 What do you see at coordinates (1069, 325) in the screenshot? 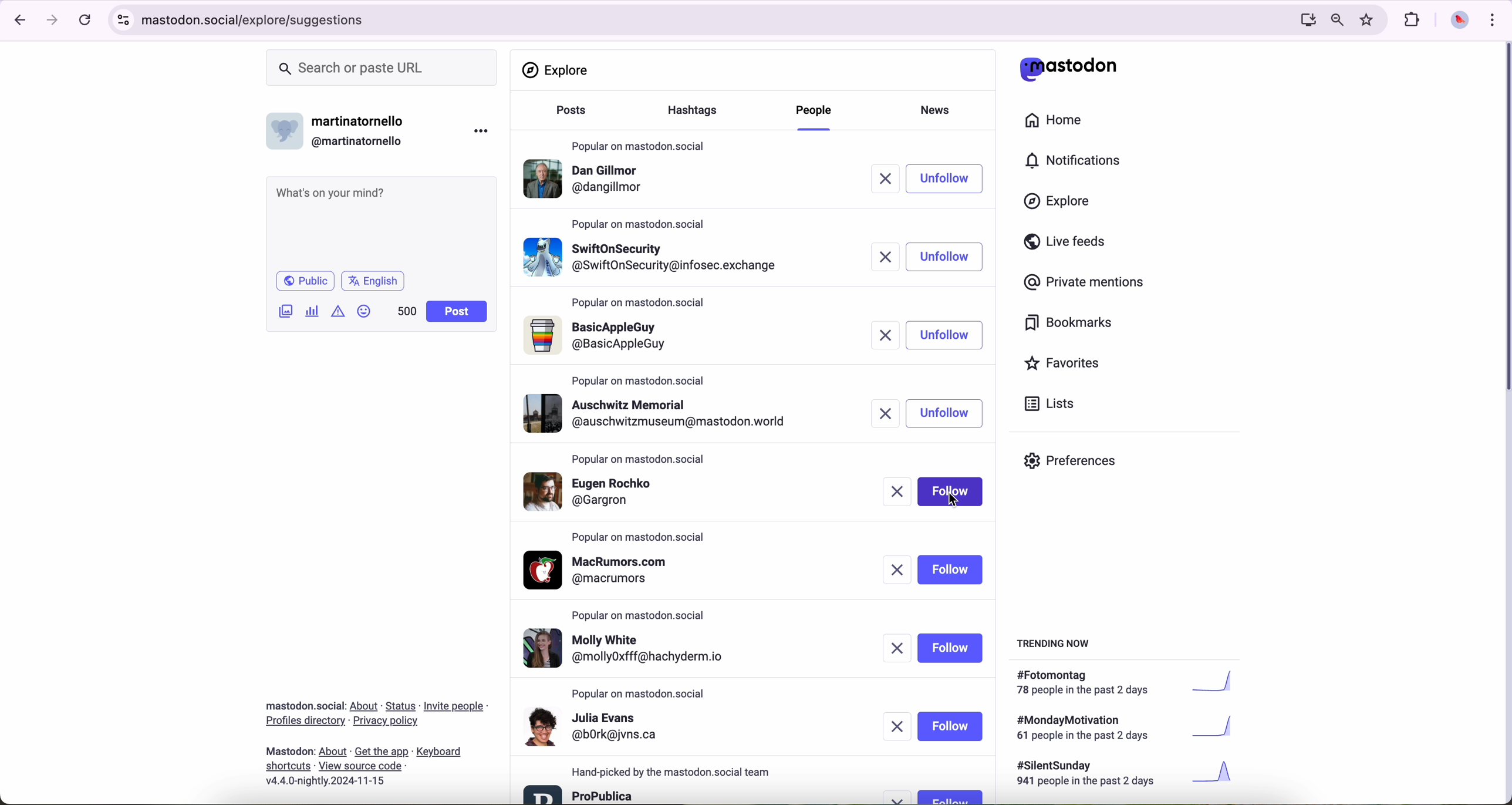
I see `bookmarks` at bounding box center [1069, 325].